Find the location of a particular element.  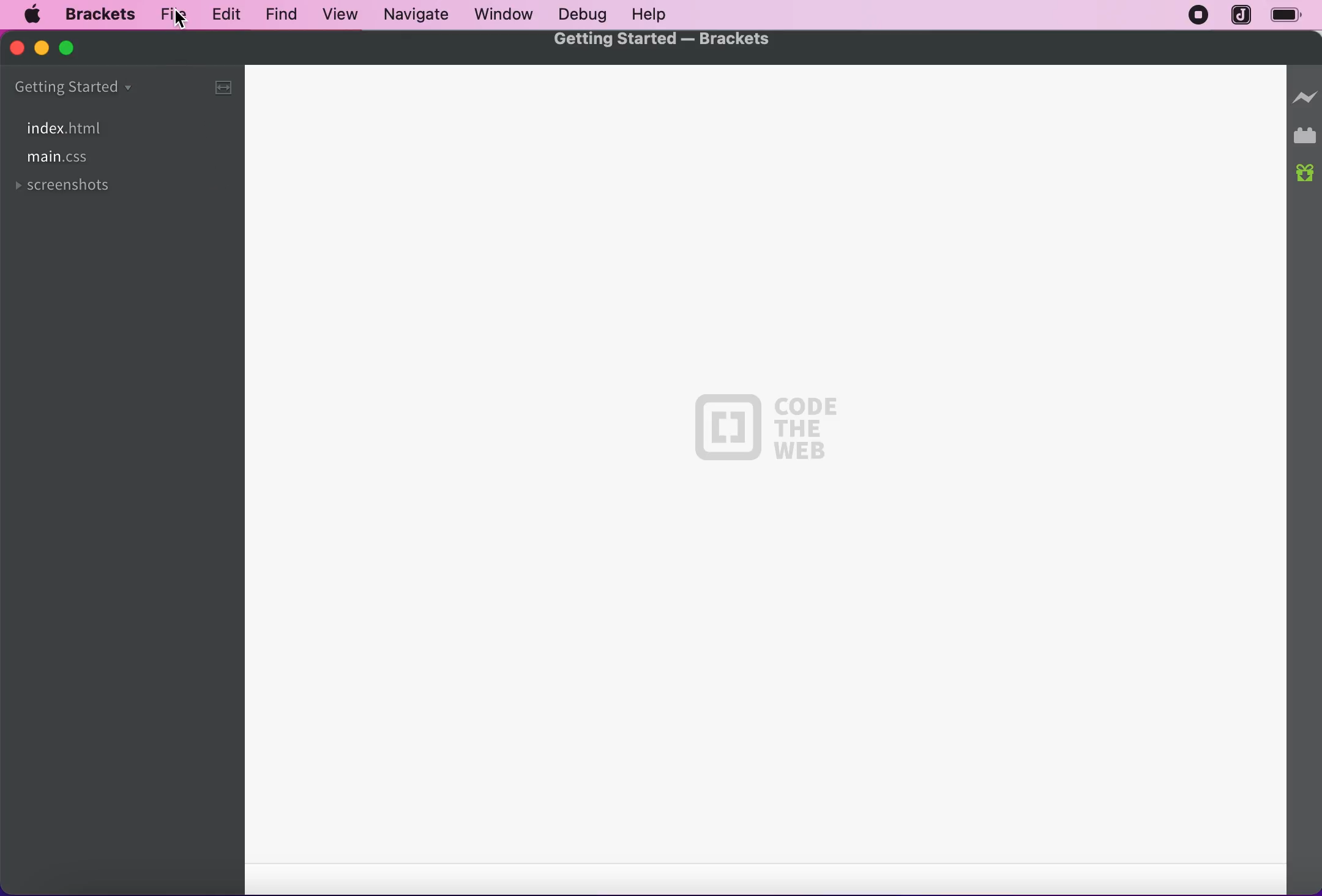

new builds of brackets is located at coordinates (1306, 174).